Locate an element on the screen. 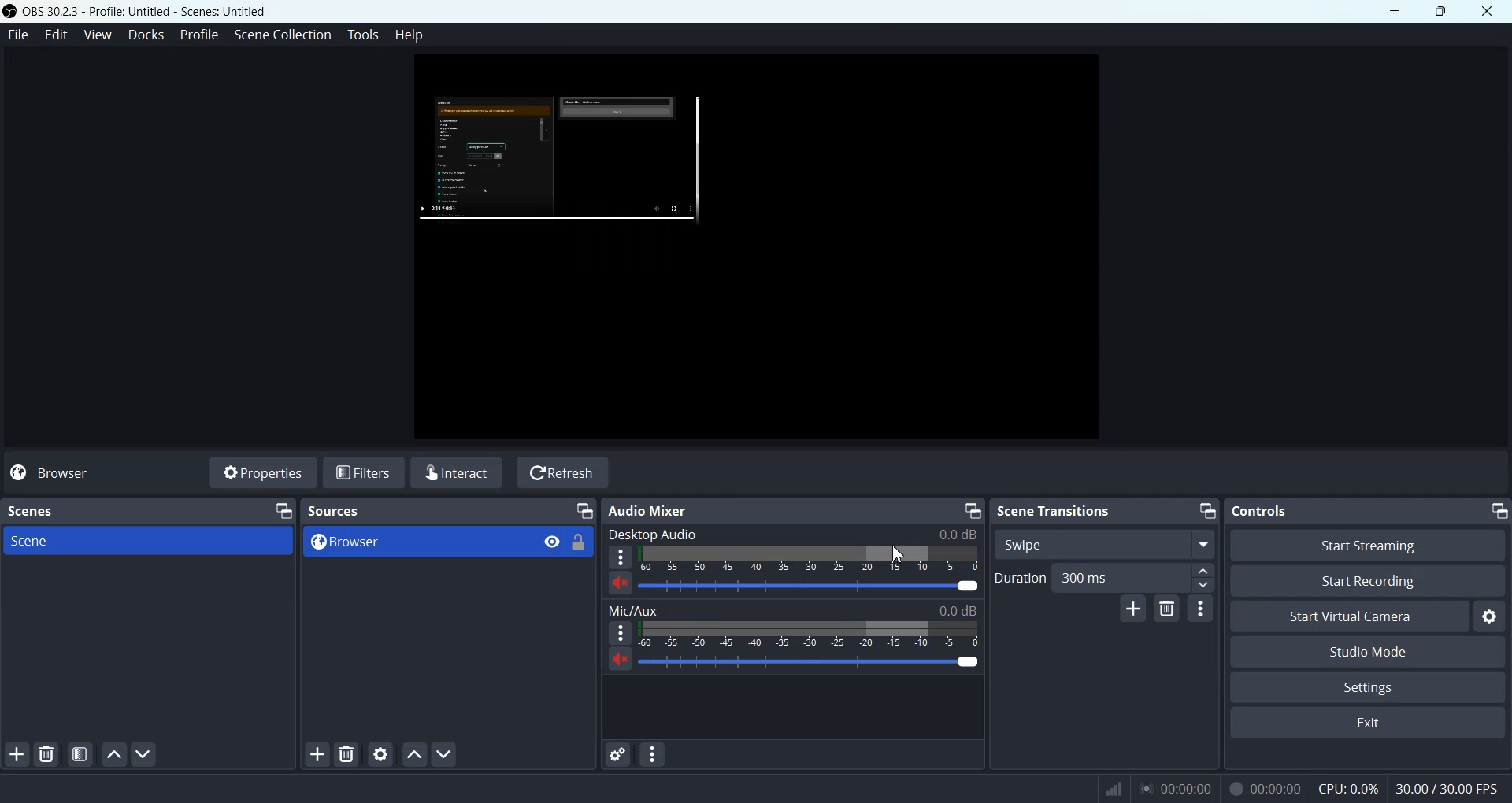 The height and width of the screenshot is (803, 1512). Edit is located at coordinates (57, 34).